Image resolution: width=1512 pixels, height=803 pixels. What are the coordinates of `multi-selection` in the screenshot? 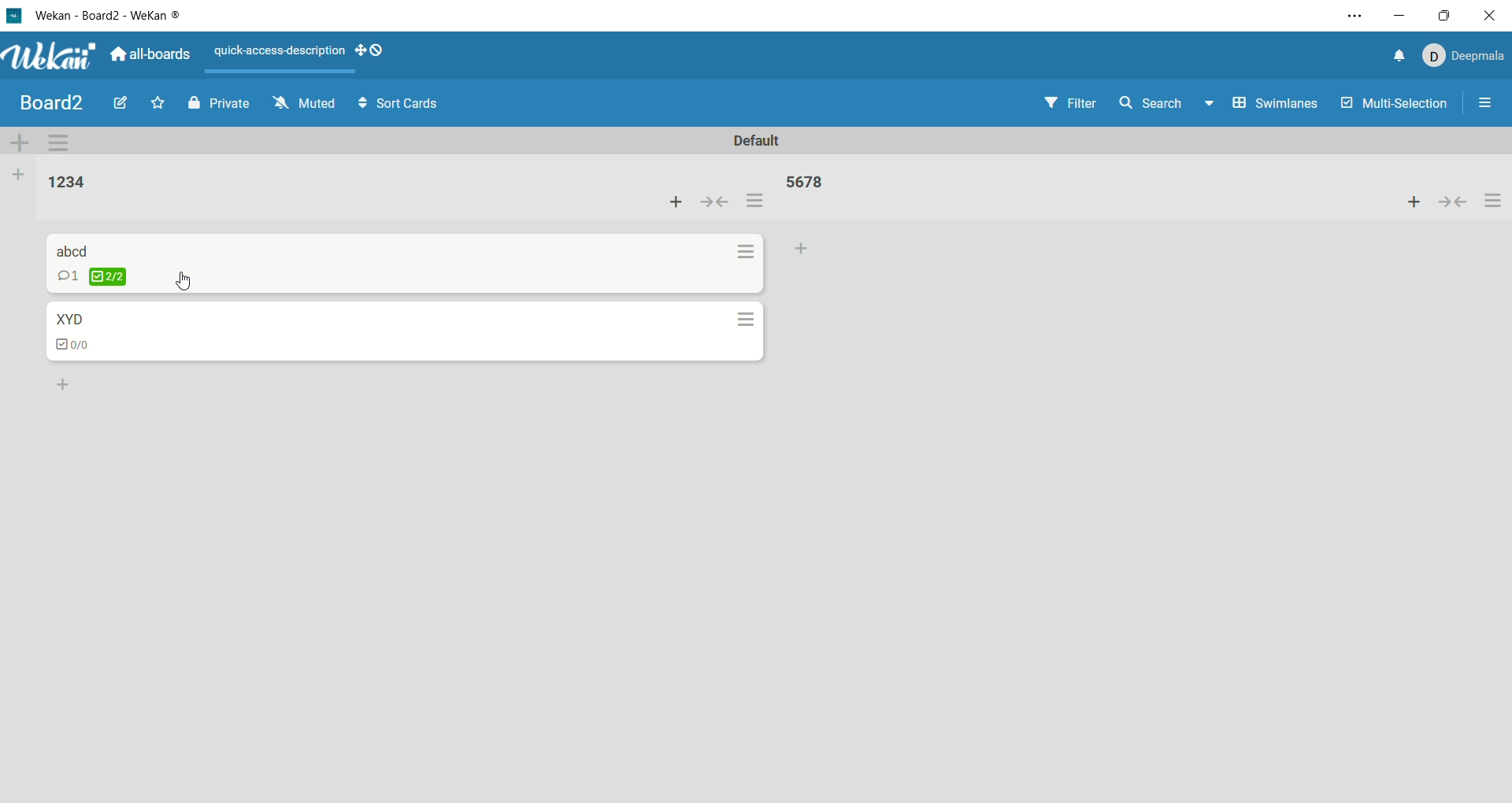 It's located at (1396, 104).